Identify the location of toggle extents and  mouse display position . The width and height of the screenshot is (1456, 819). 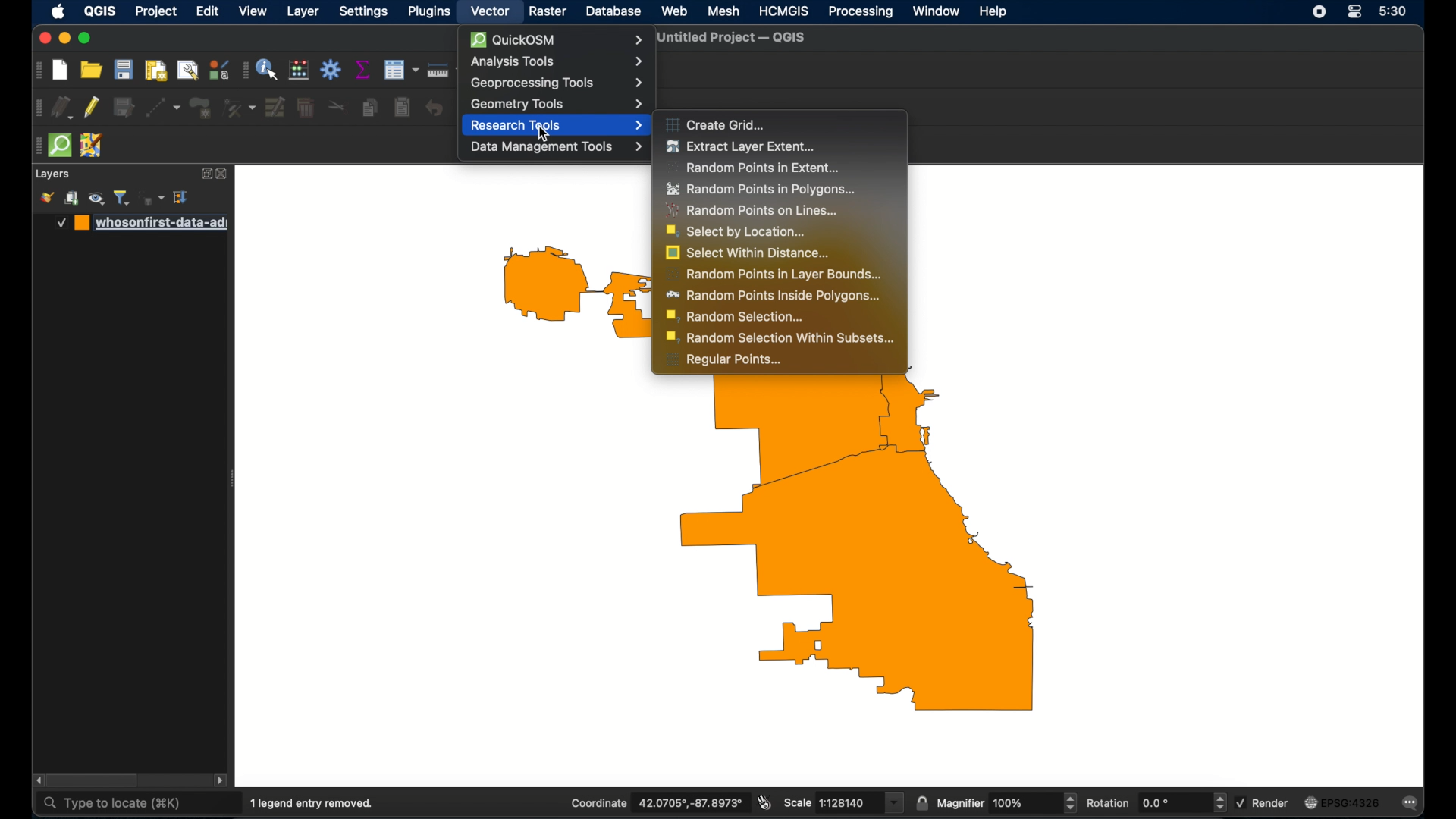
(764, 802).